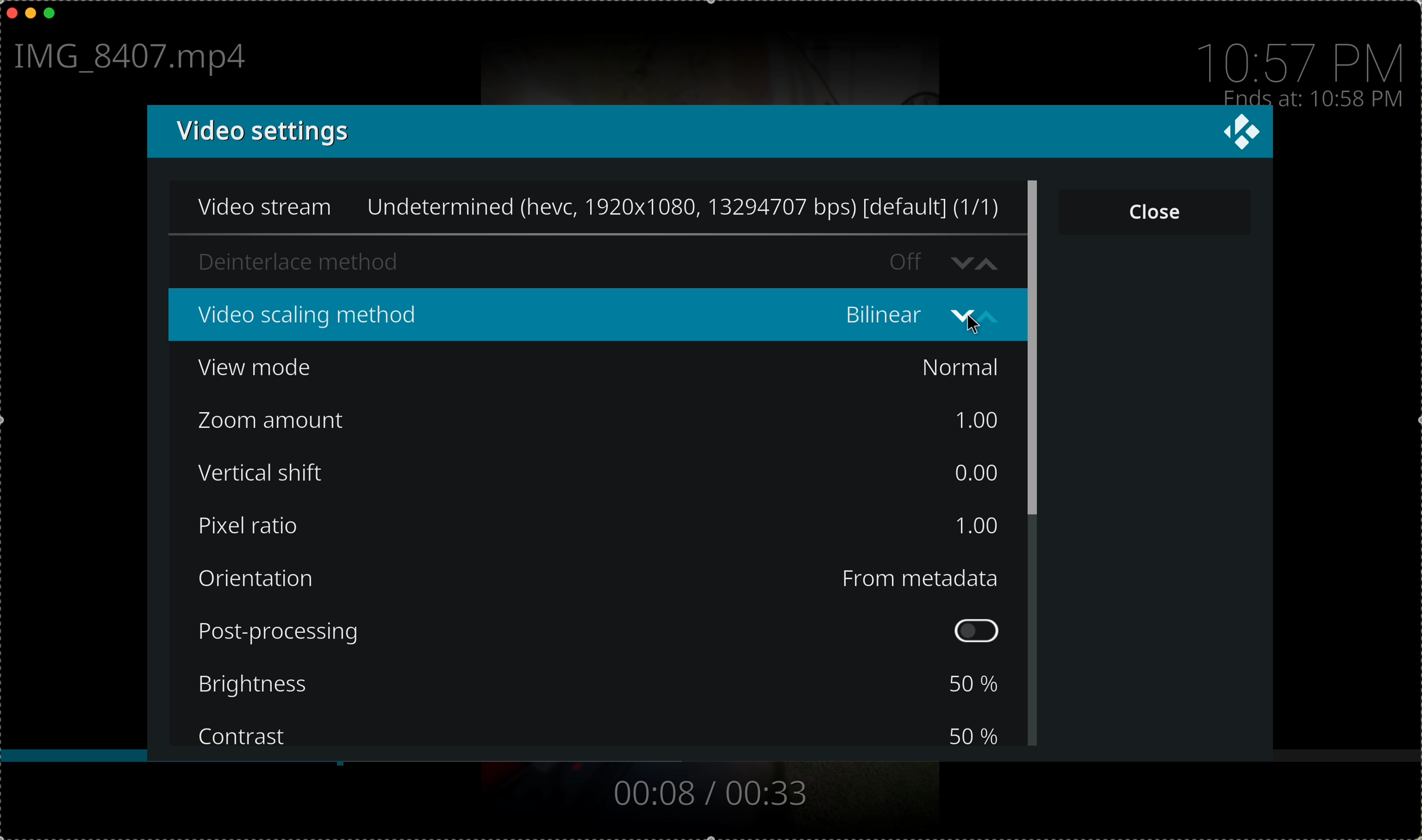 The height and width of the screenshot is (840, 1422). I want to click on orientation from metadata, so click(603, 577).